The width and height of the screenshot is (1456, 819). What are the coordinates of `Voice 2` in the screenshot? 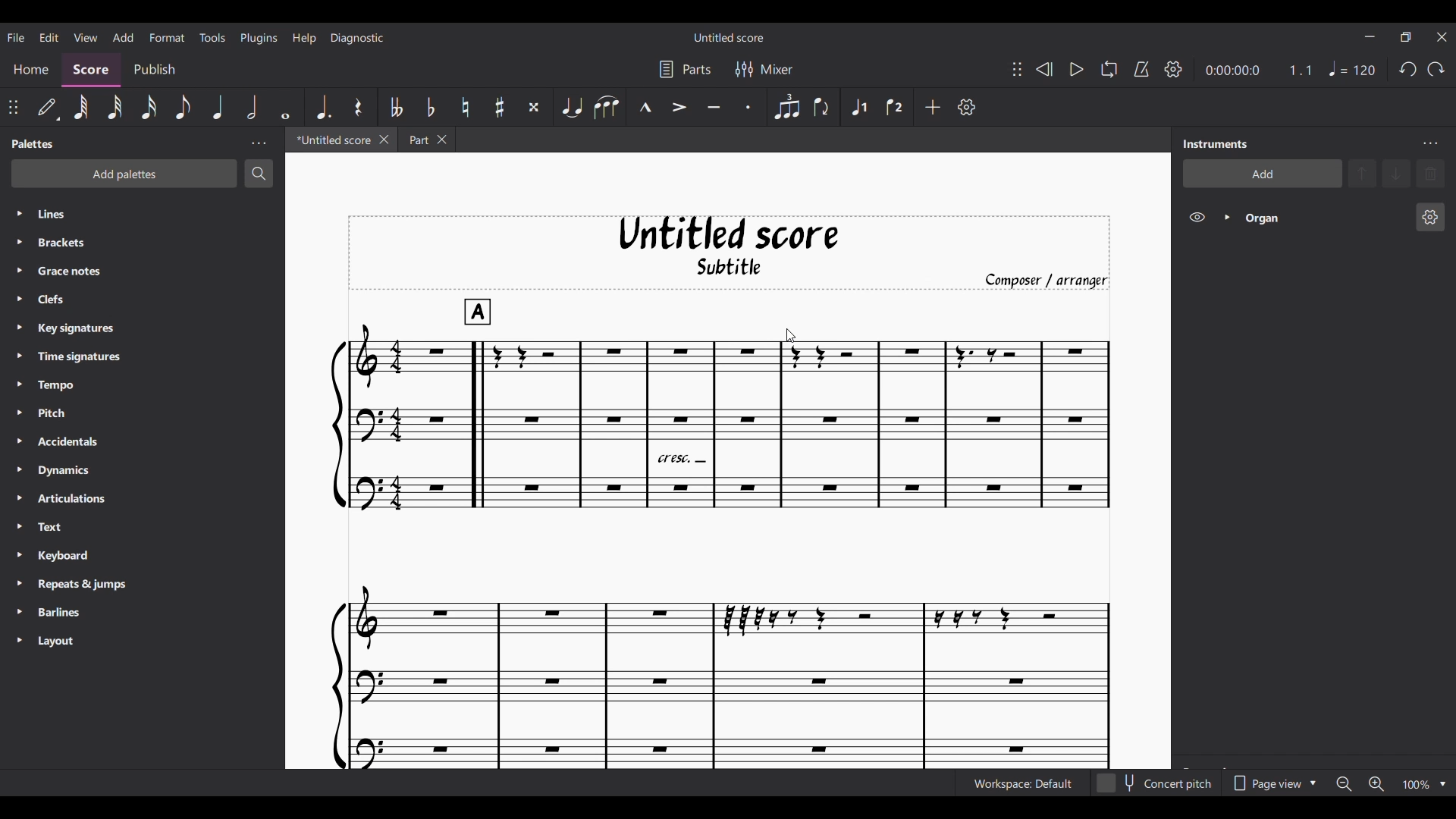 It's located at (895, 107).